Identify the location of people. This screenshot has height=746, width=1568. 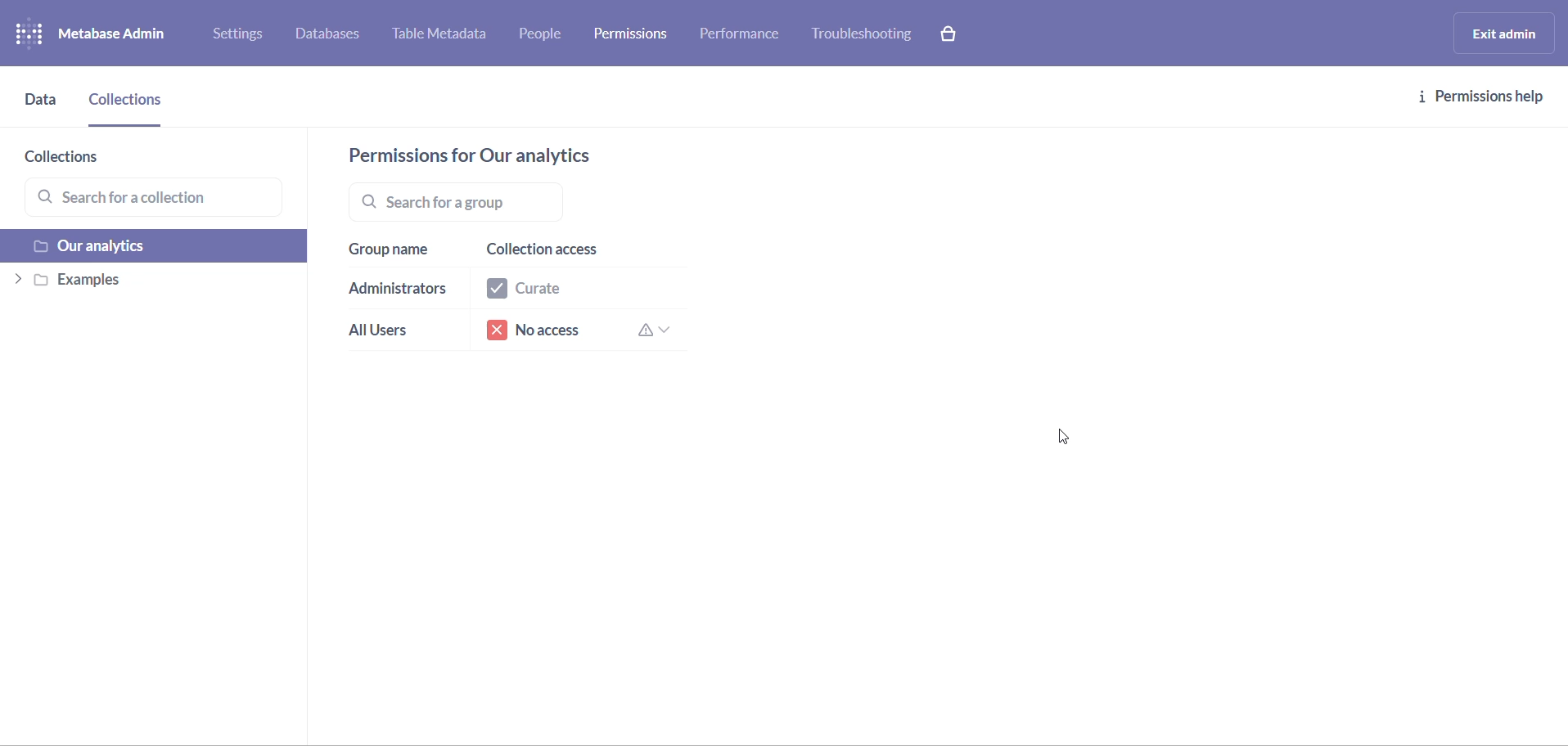
(547, 36).